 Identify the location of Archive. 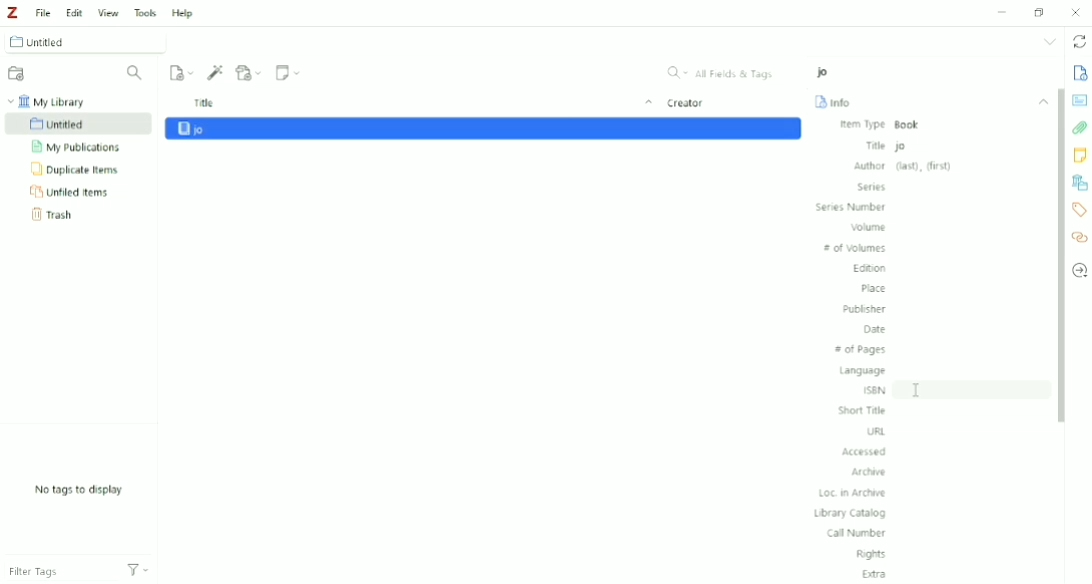
(871, 472).